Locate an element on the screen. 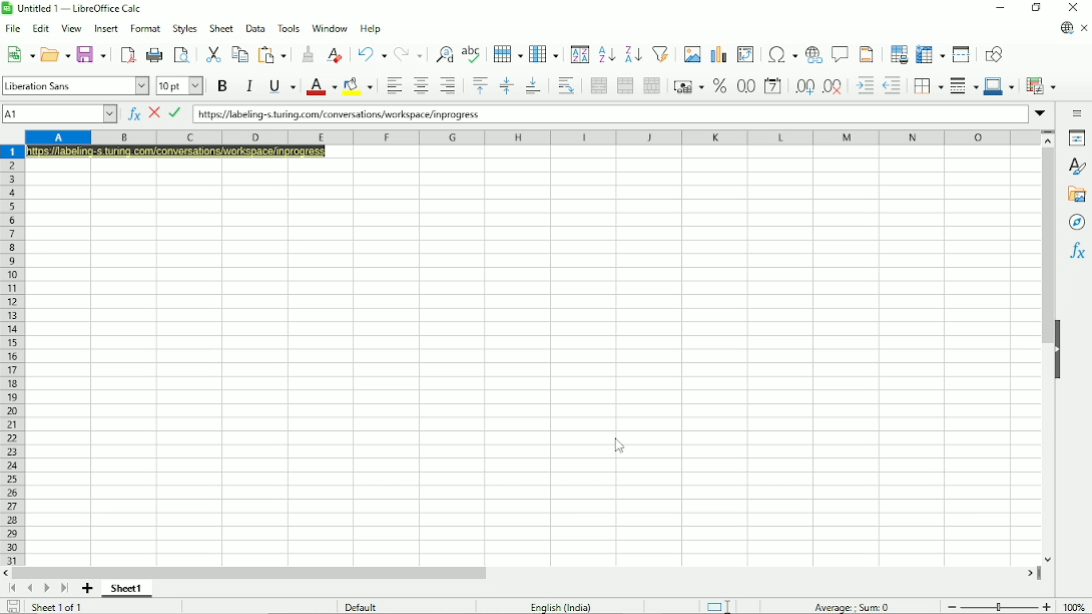 This screenshot has height=614, width=1092. Border style is located at coordinates (964, 86).